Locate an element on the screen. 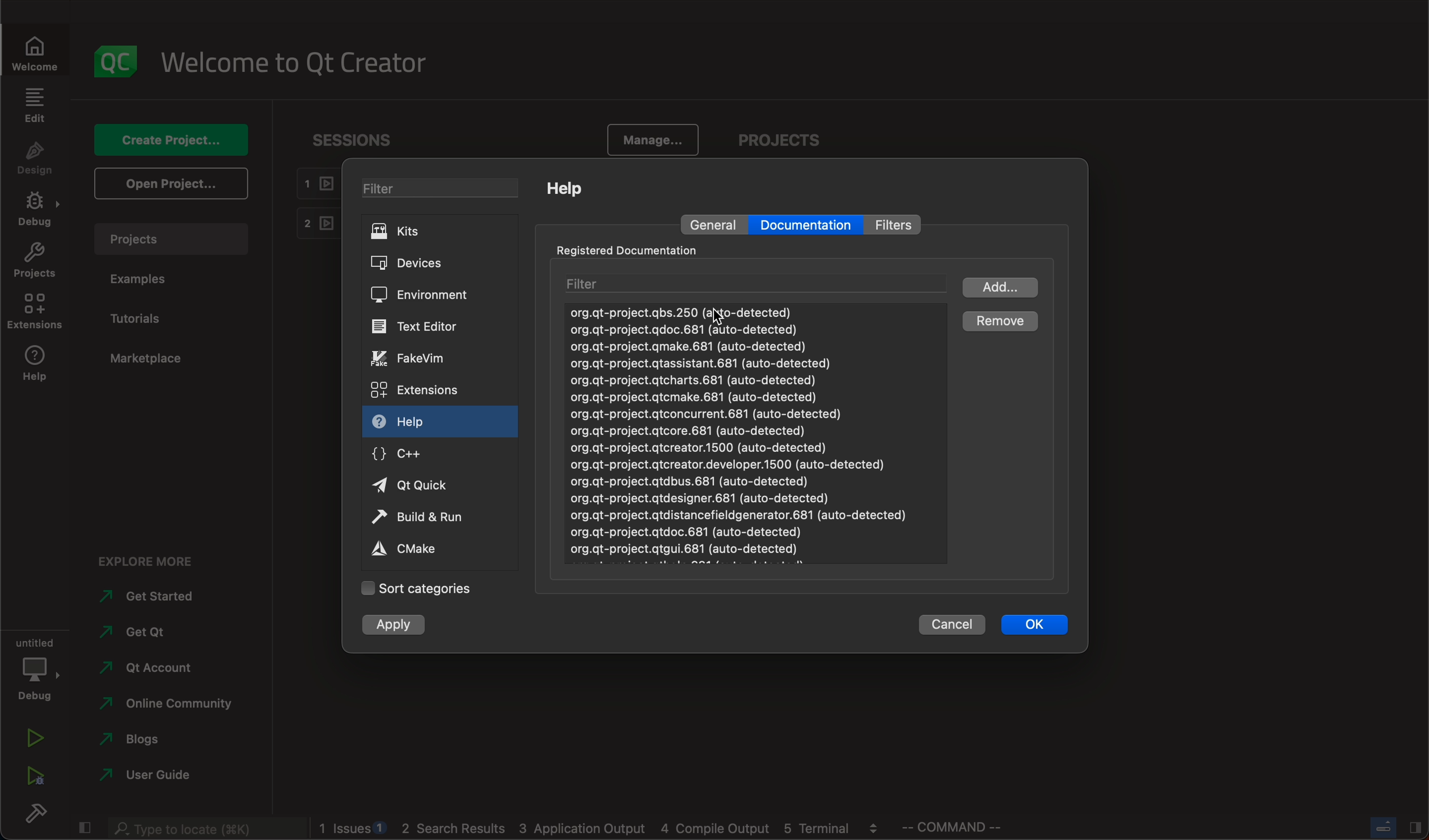 This screenshot has height=840, width=1429. design is located at coordinates (36, 164).